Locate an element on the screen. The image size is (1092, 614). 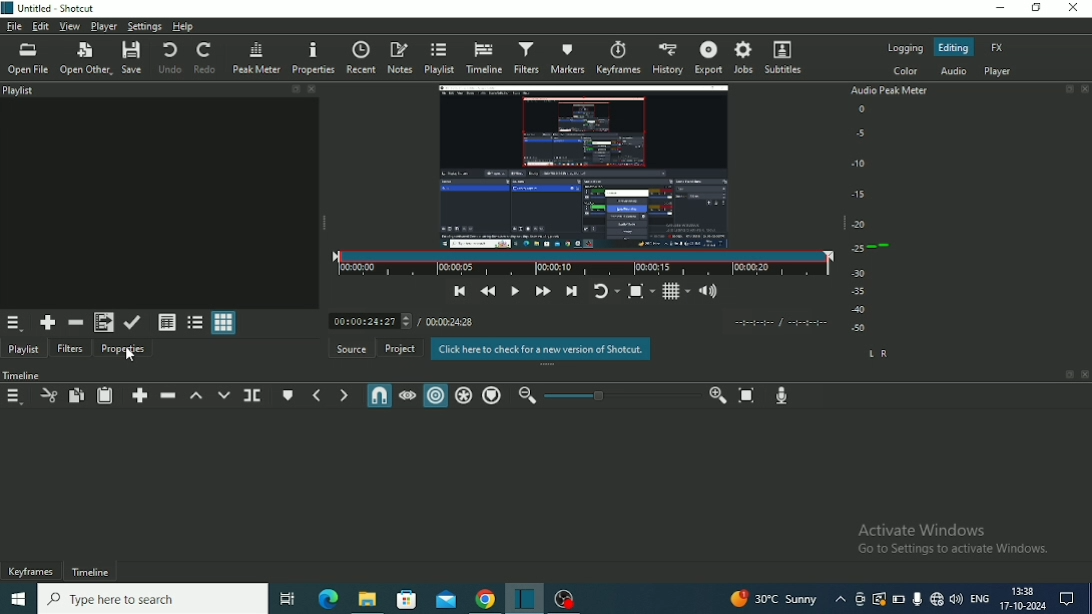
Notes is located at coordinates (399, 58).